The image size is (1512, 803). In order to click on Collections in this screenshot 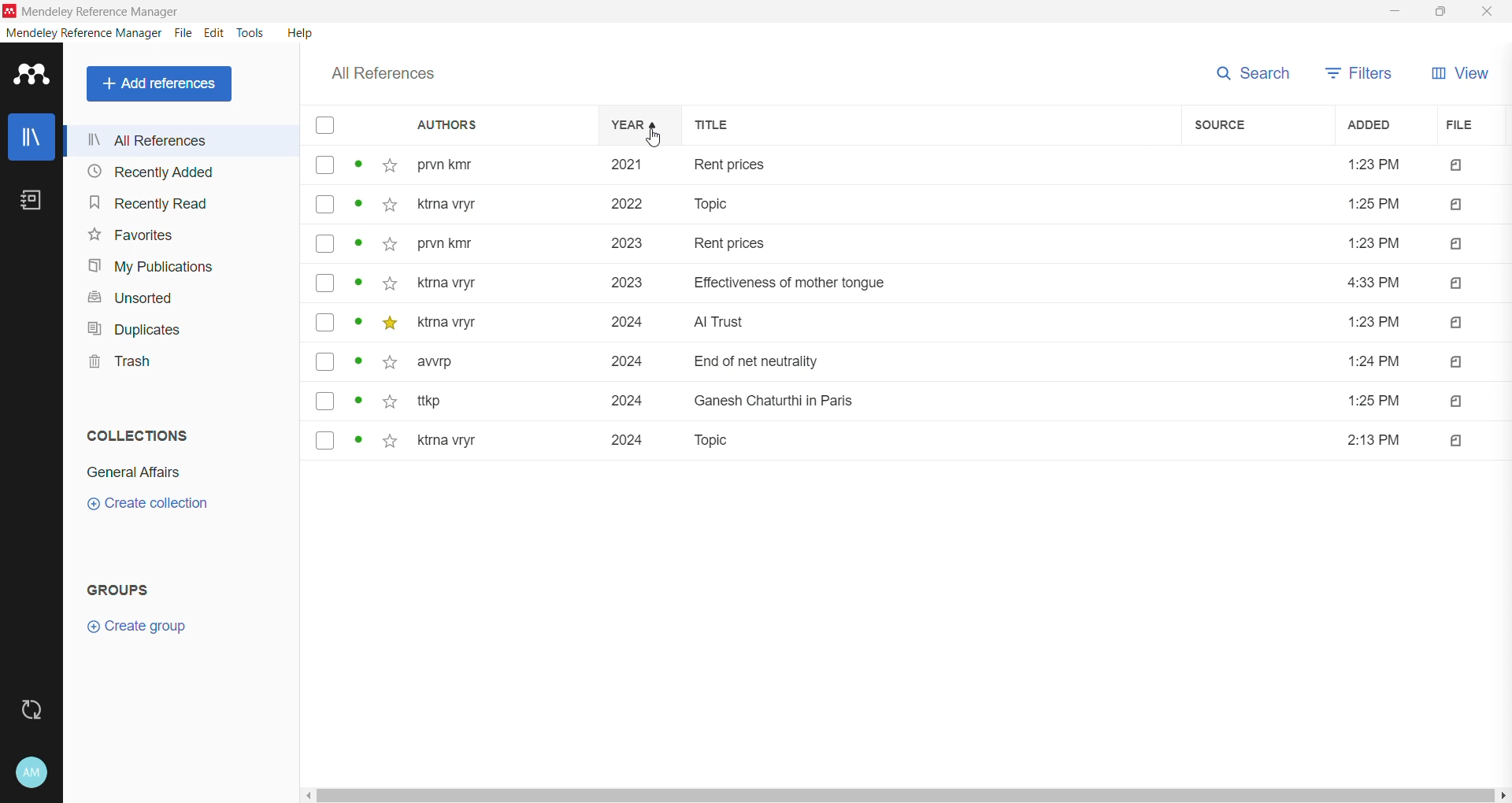, I will do `click(135, 435)`.